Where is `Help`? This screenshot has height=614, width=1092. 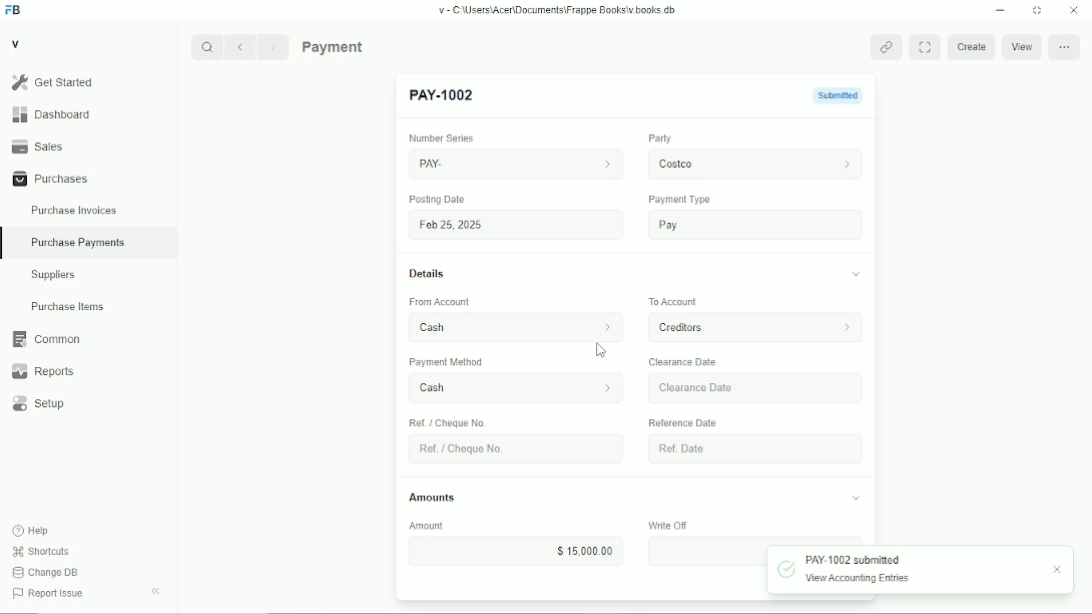 Help is located at coordinates (31, 531).